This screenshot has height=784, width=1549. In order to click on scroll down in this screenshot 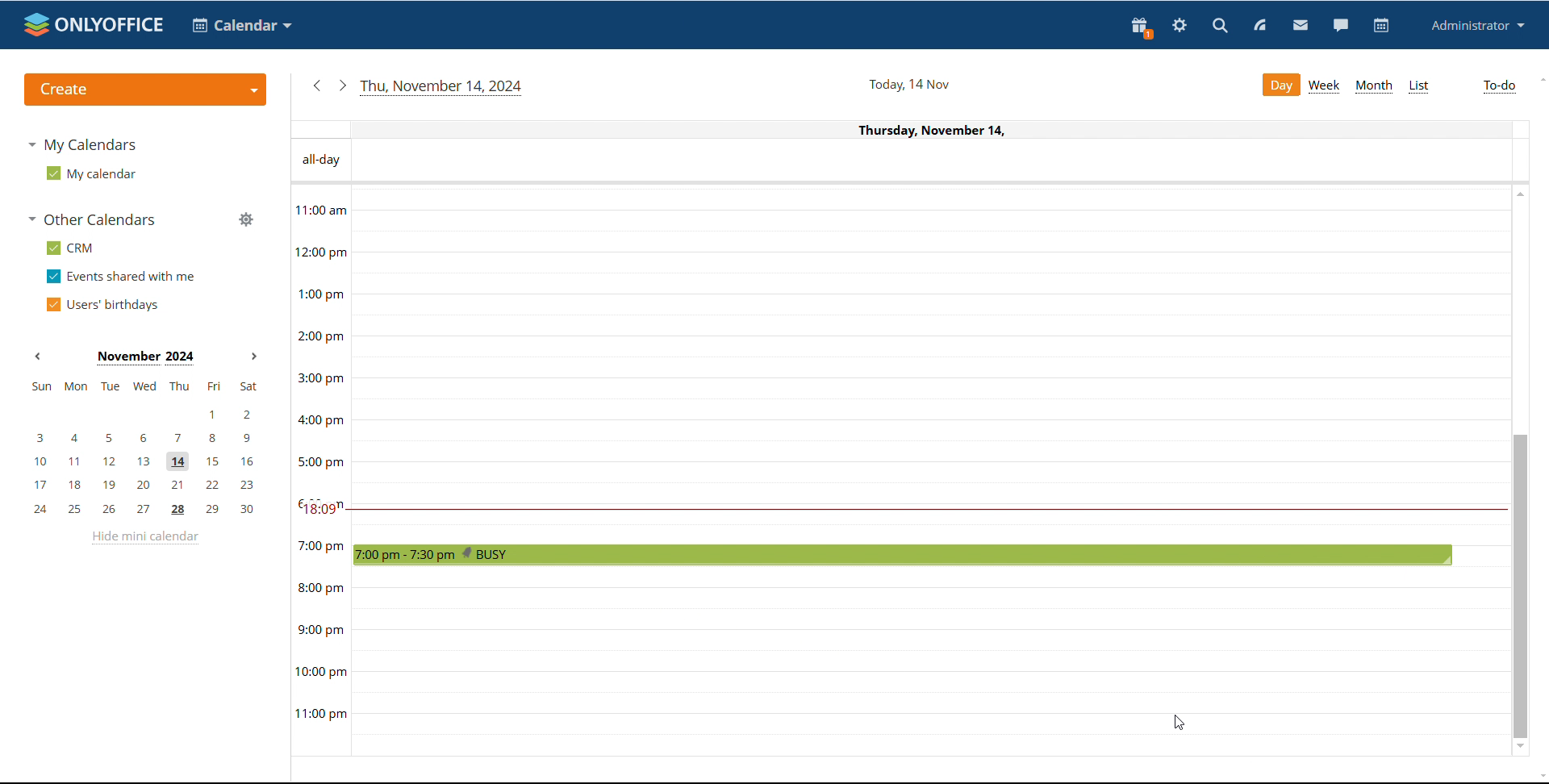, I will do `click(1522, 749)`.